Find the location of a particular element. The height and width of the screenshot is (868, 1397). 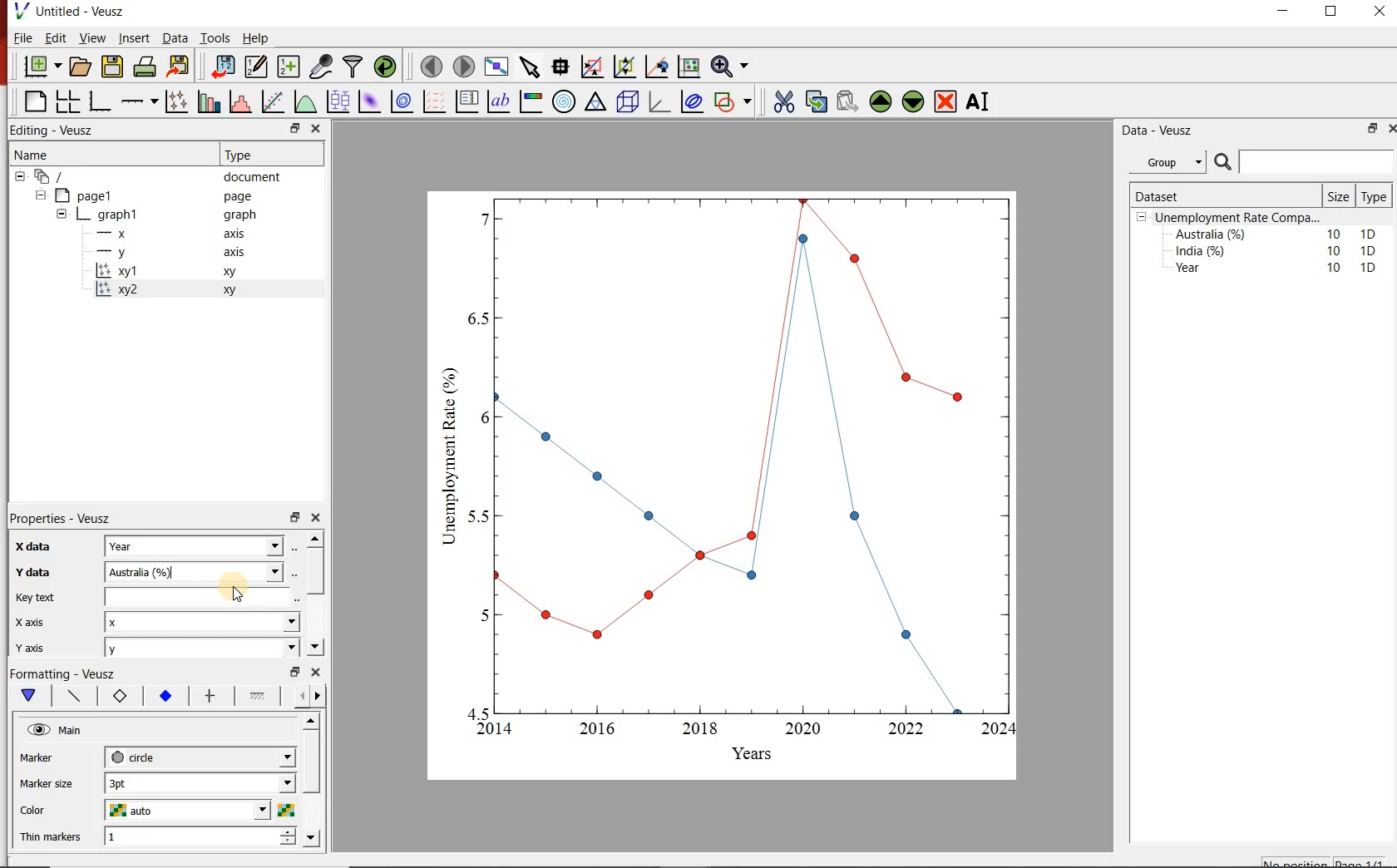

1 is located at coordinates (186, 837).